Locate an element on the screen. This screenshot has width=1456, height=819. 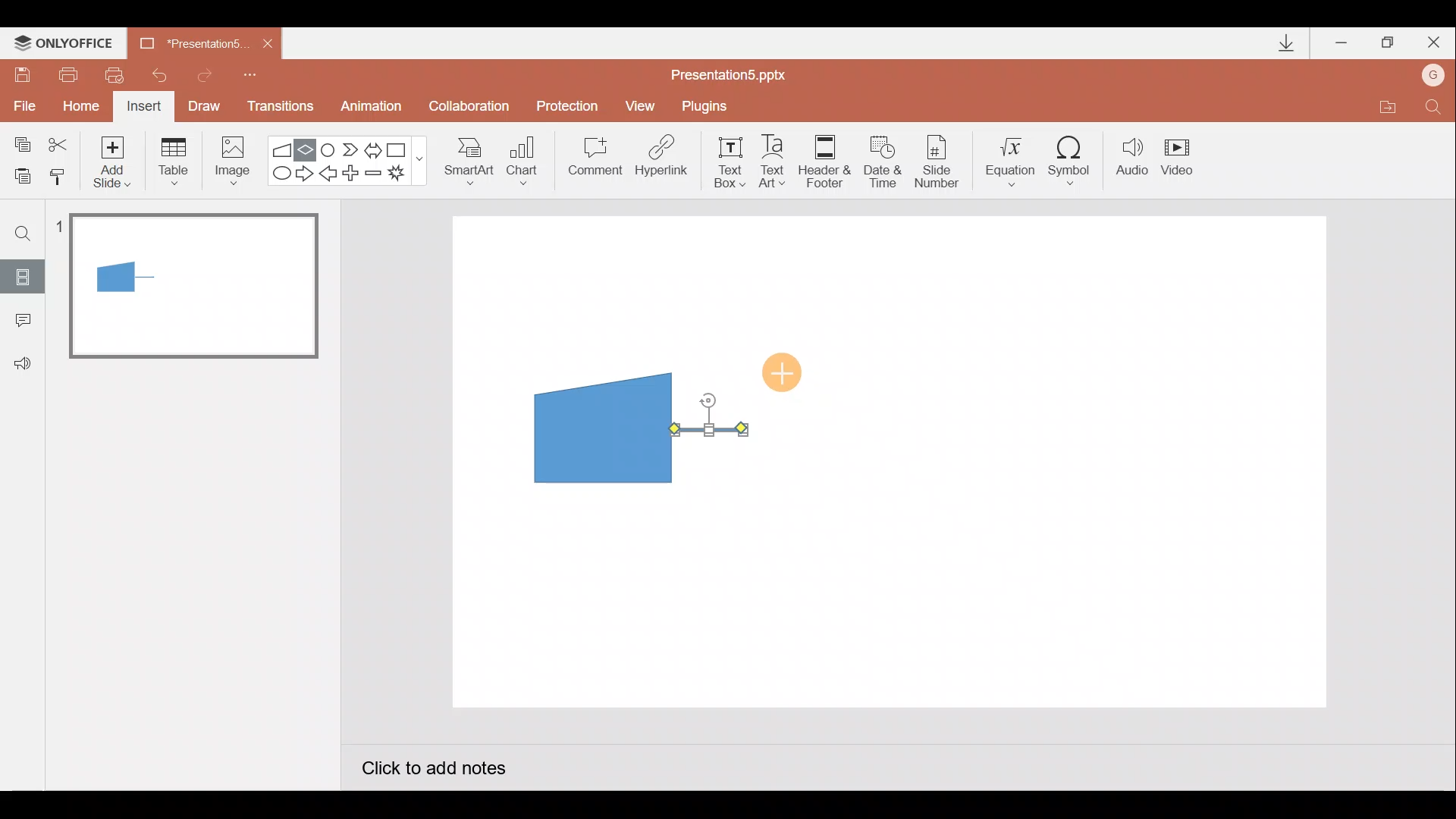
Find is located at coordinates (24, 233).